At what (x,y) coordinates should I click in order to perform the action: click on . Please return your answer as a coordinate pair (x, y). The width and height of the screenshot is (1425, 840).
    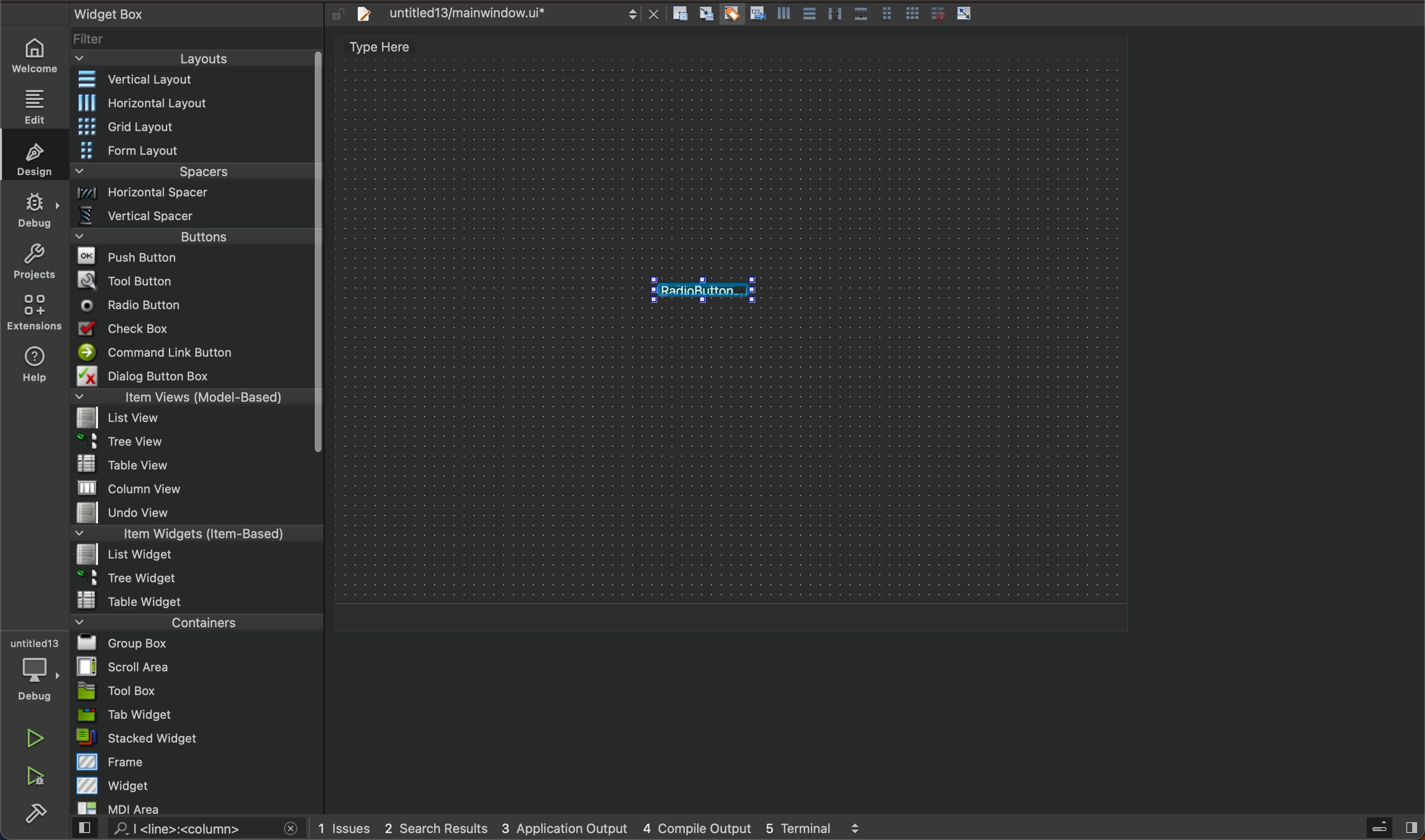
    Looking at the image, I should click on (965, 14).